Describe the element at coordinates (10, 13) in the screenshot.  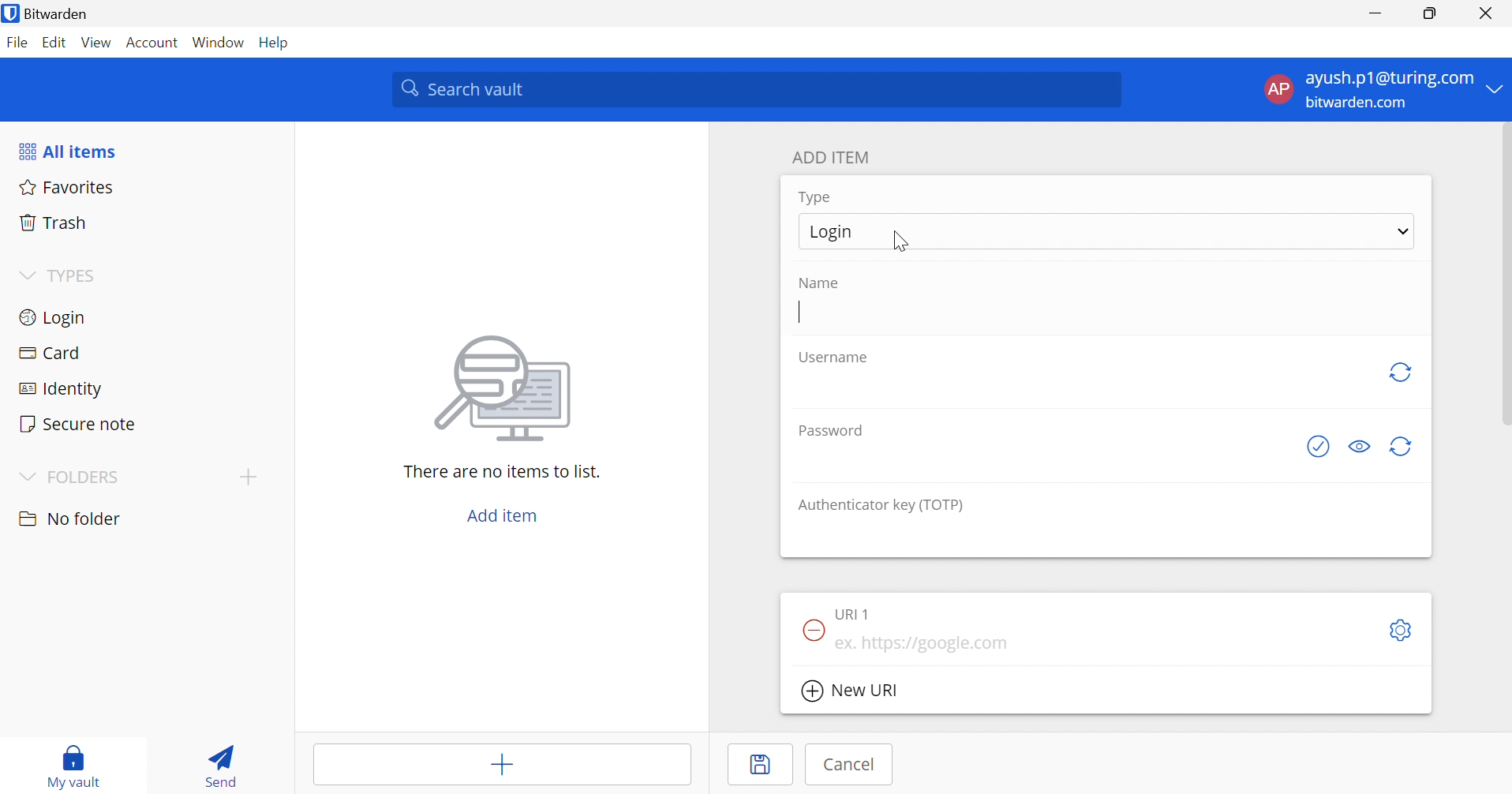
I see `bitwarden logo` at that location.